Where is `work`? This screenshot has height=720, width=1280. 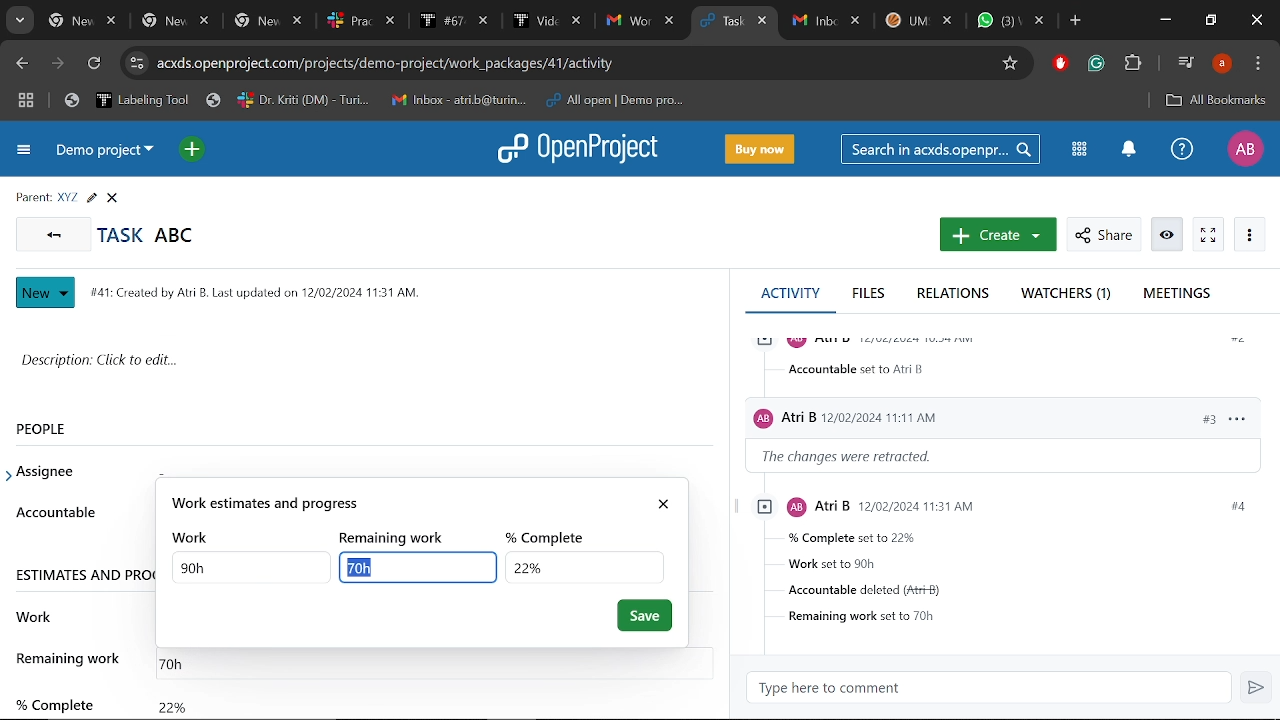
work is located at coordinates (194, 537).